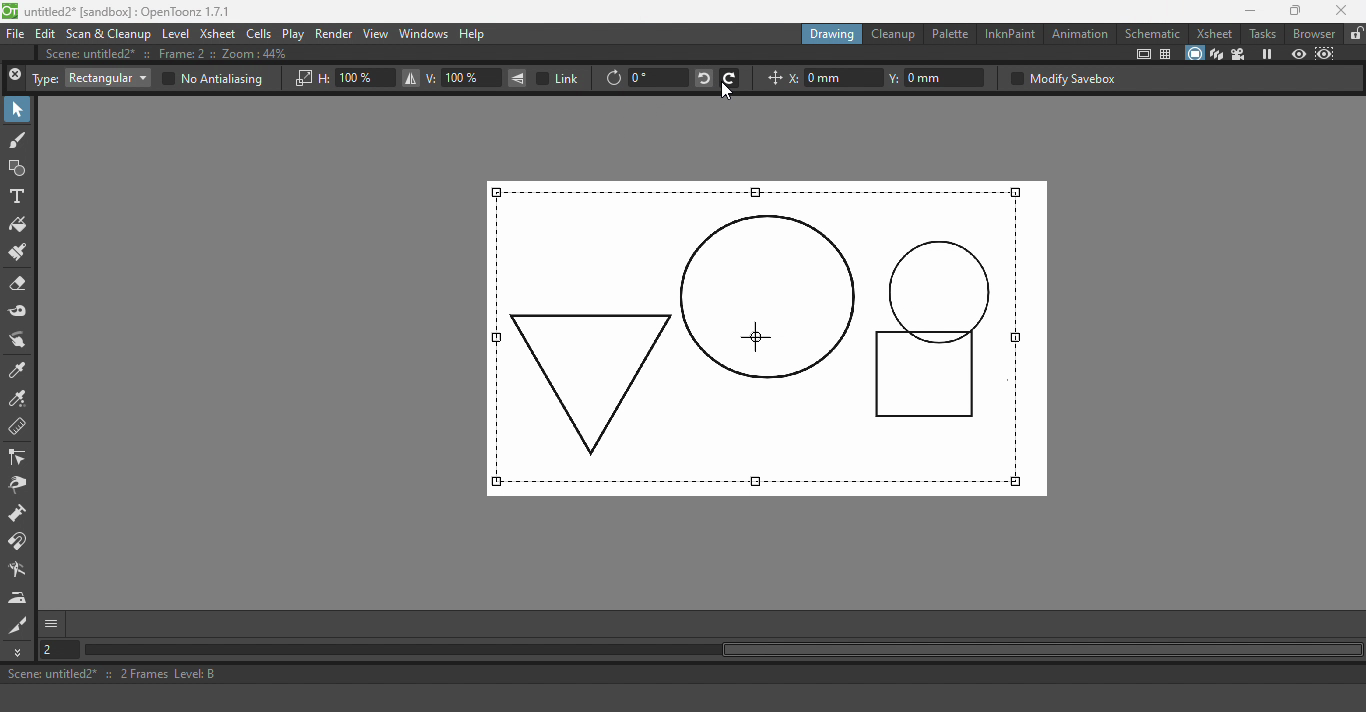  What do you see at coordinates (894, 34) in the screenshot?
I see `Cleanup` at bounding box center [894, 34].